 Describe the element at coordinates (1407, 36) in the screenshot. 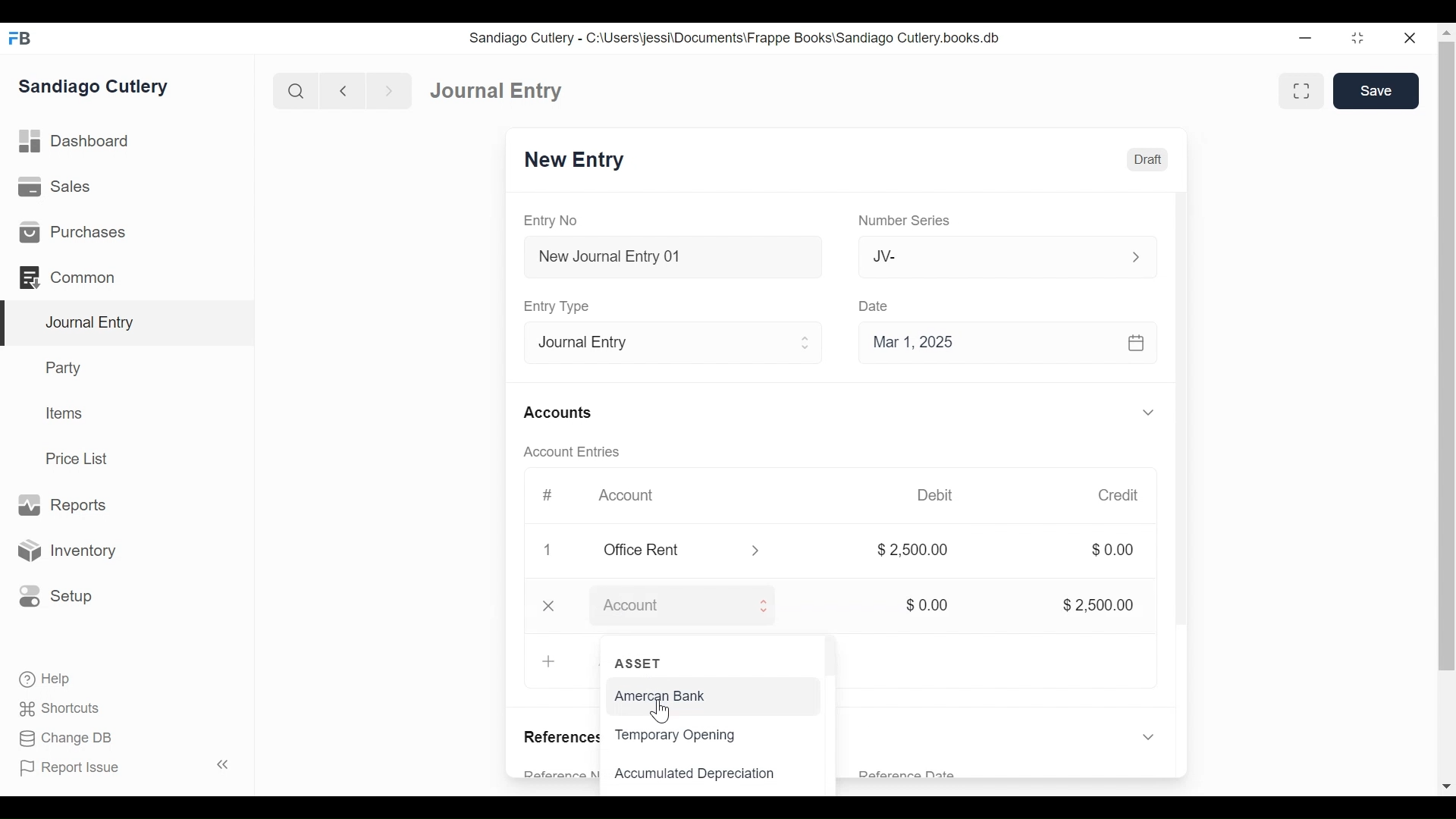

I see `close` at that location.